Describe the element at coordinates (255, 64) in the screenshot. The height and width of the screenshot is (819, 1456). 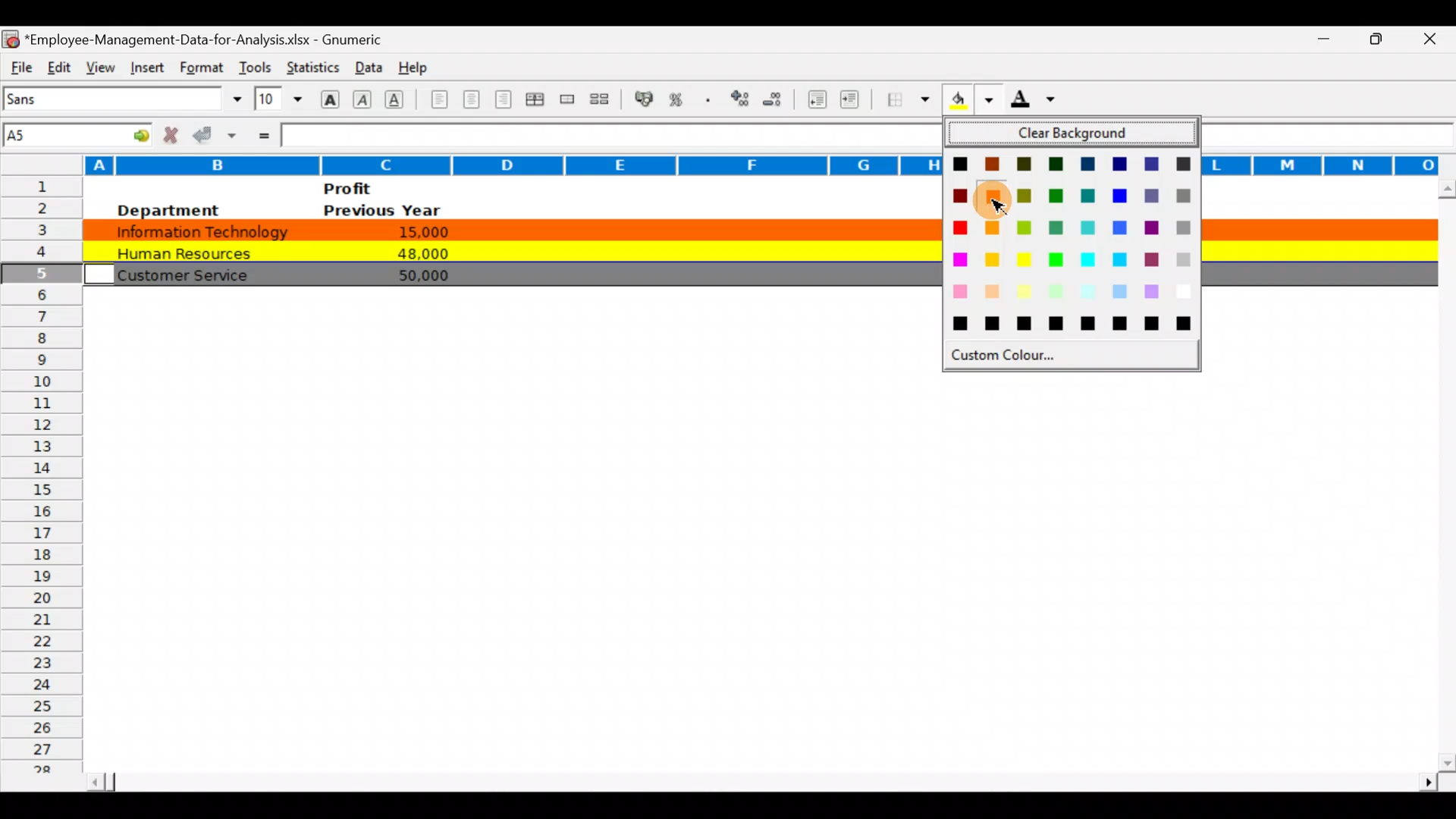
I see `Tools` at that location.